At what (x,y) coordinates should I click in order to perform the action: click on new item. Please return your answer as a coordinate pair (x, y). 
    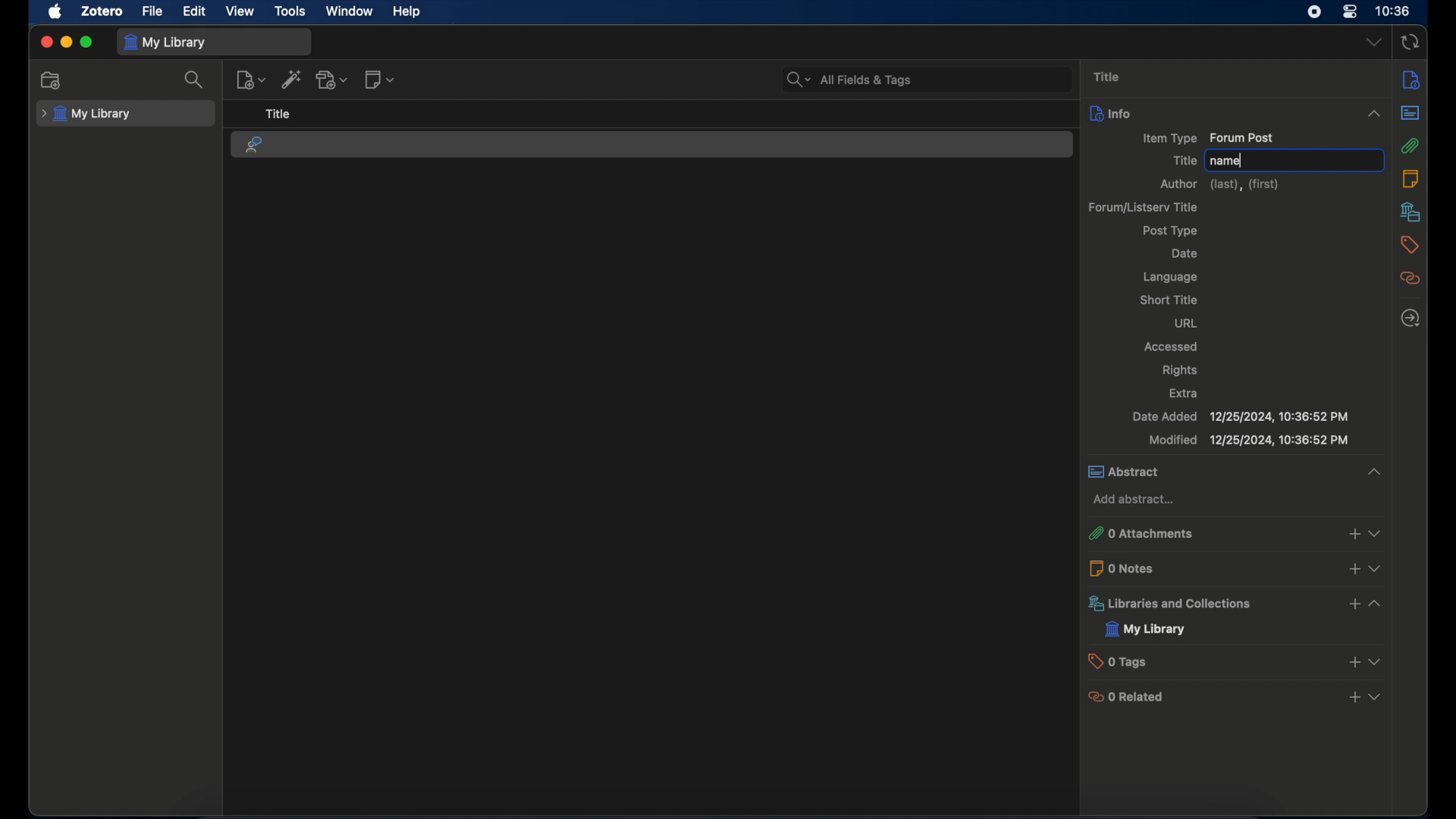
    Looking at the image, I should click on (251, 80).